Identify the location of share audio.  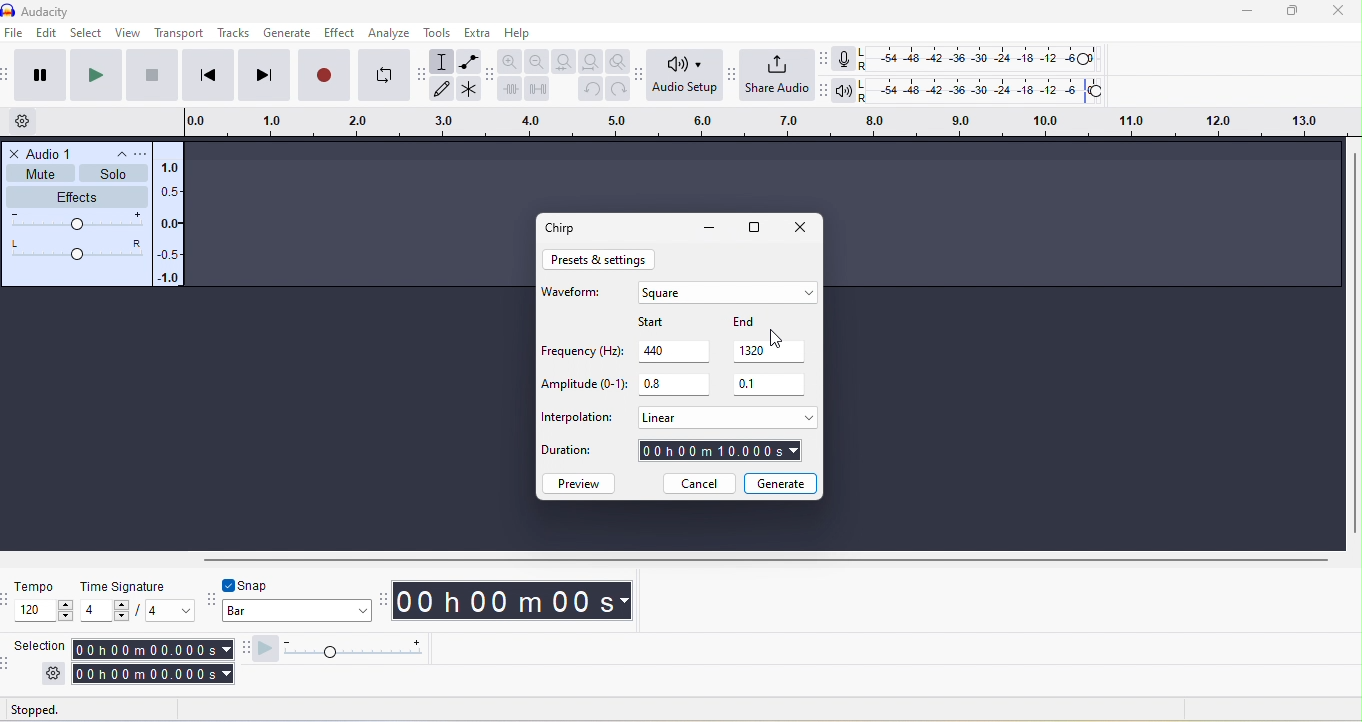
(779, 75).